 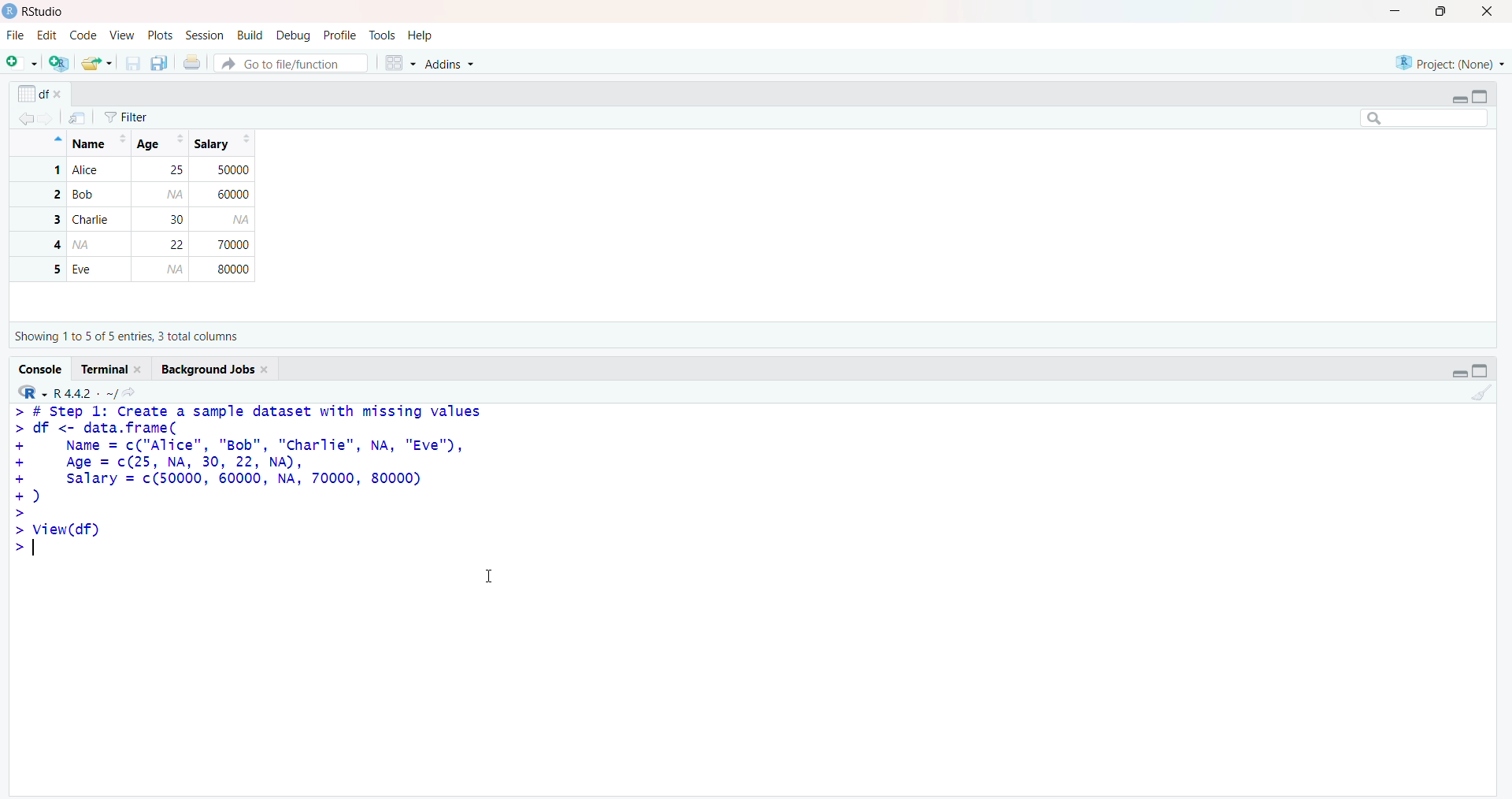 I want to click on Console, so click(x=39, y=369).